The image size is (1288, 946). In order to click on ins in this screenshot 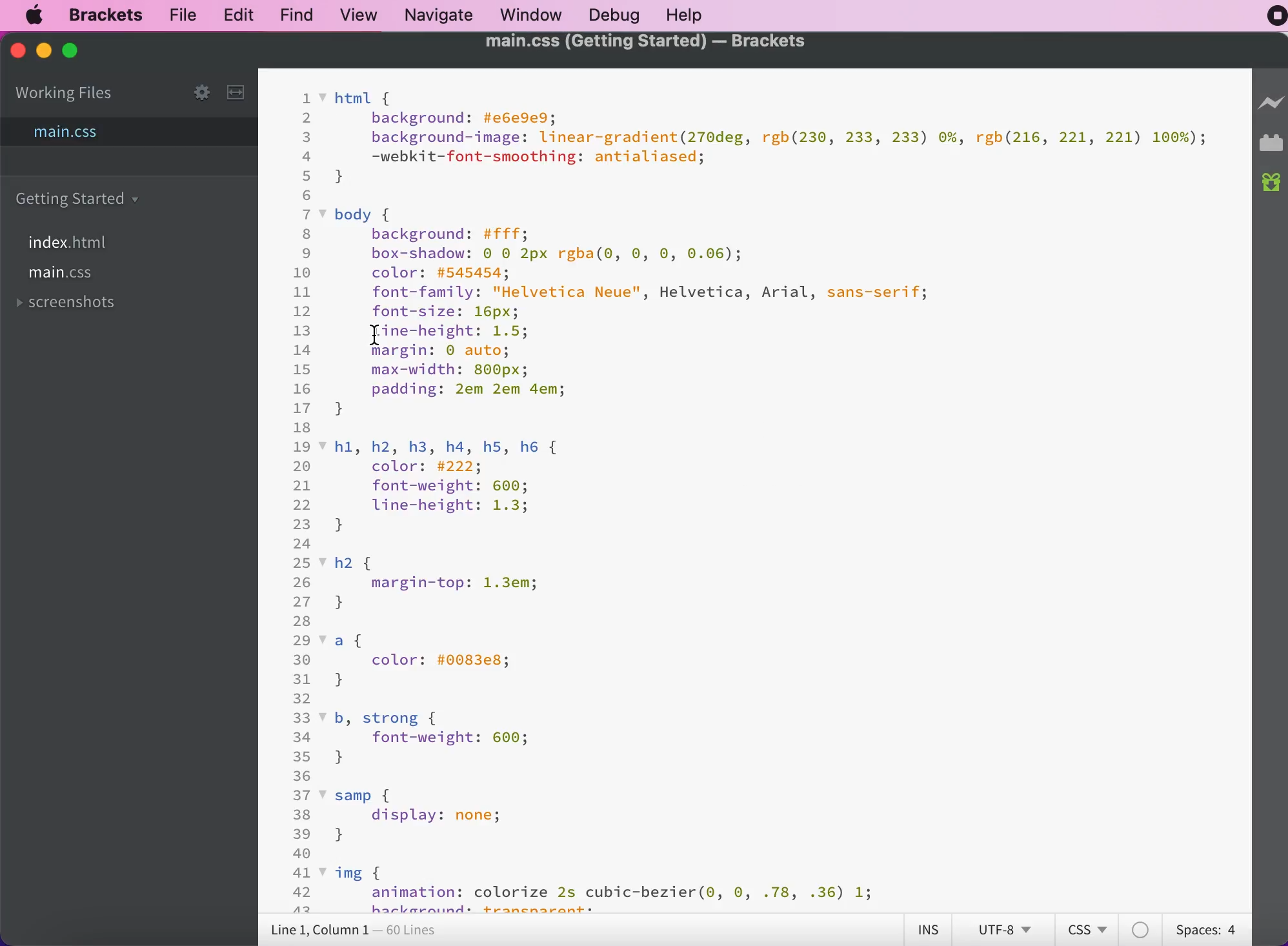, I will do `click(928, 928)`.